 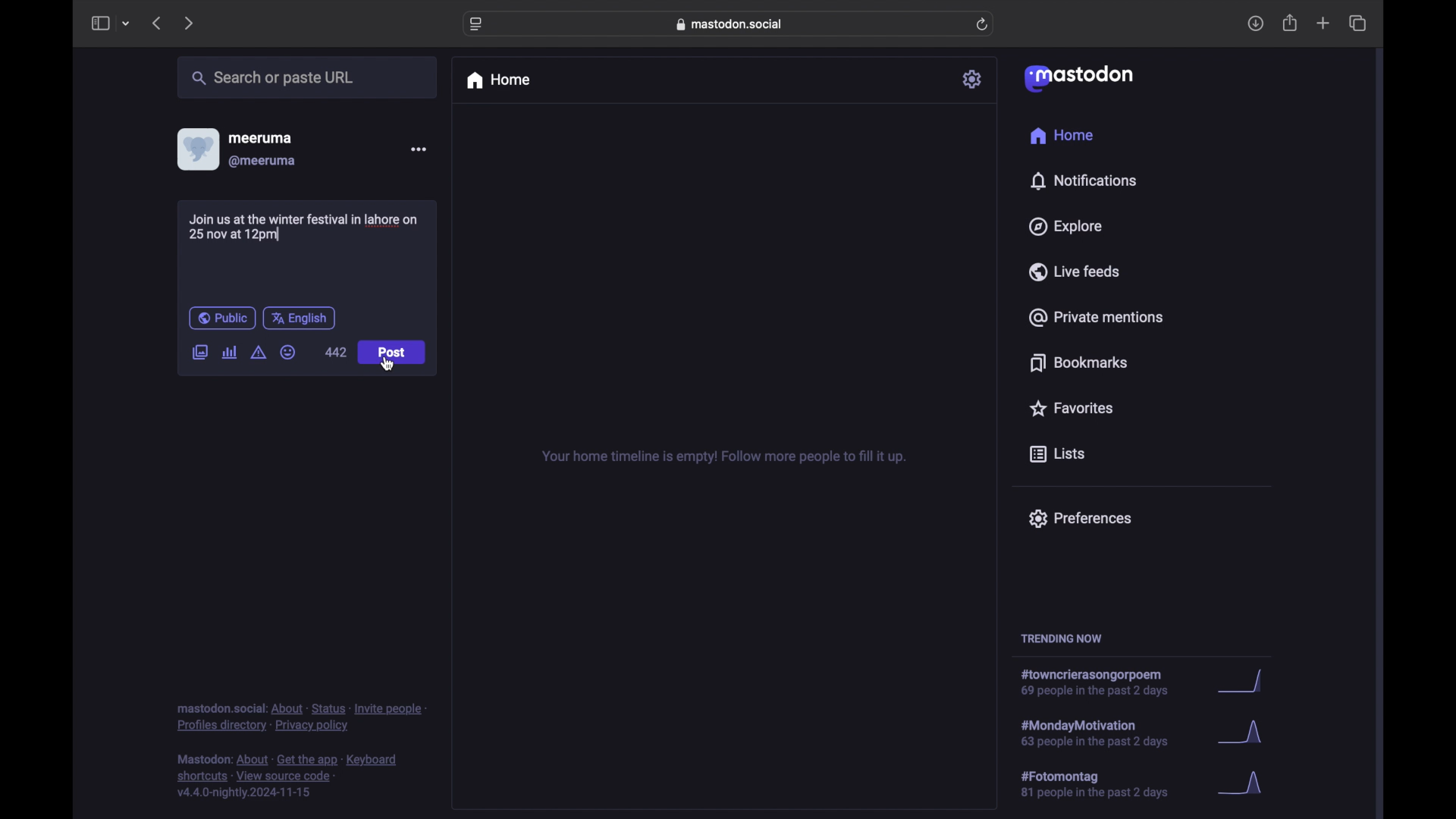 What do you see at coordinates (1323, 23) in the screenshot?
I see `new tab` at bounding box center [1323, 23].